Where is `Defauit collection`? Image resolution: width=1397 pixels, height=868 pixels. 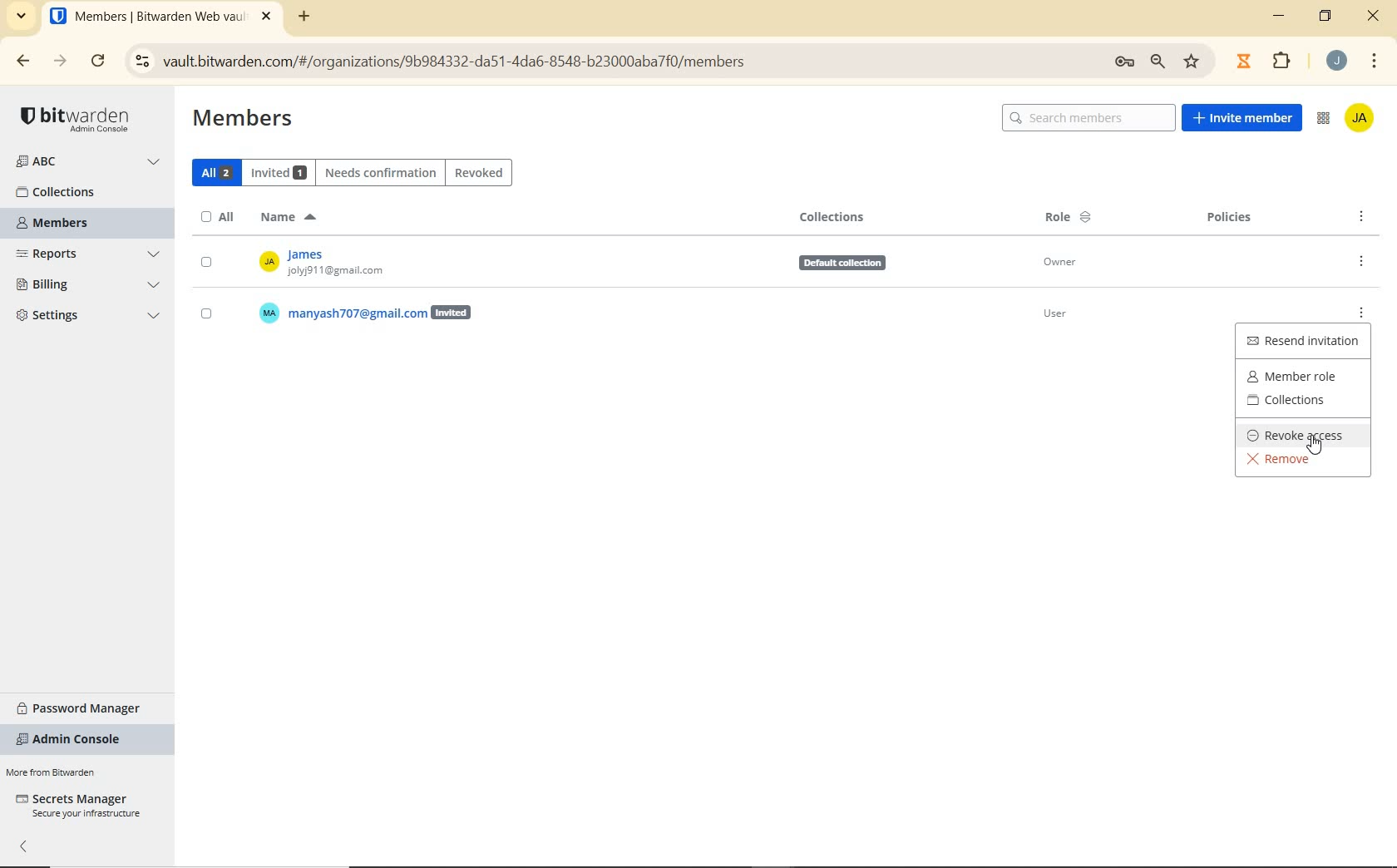
Defauit collection is located at coordinates (835, 264).